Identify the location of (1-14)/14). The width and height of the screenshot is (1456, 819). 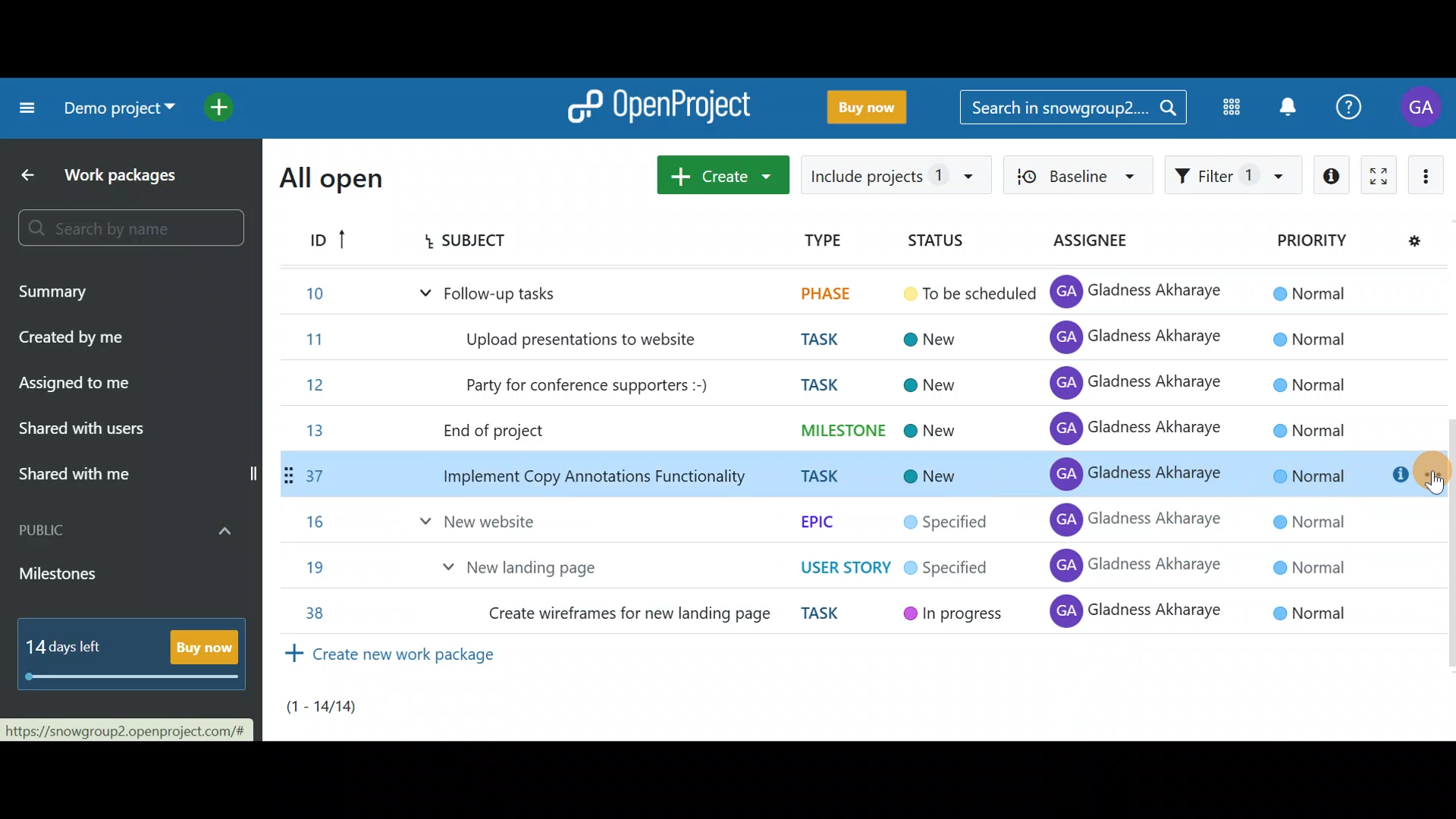
(318, 706).